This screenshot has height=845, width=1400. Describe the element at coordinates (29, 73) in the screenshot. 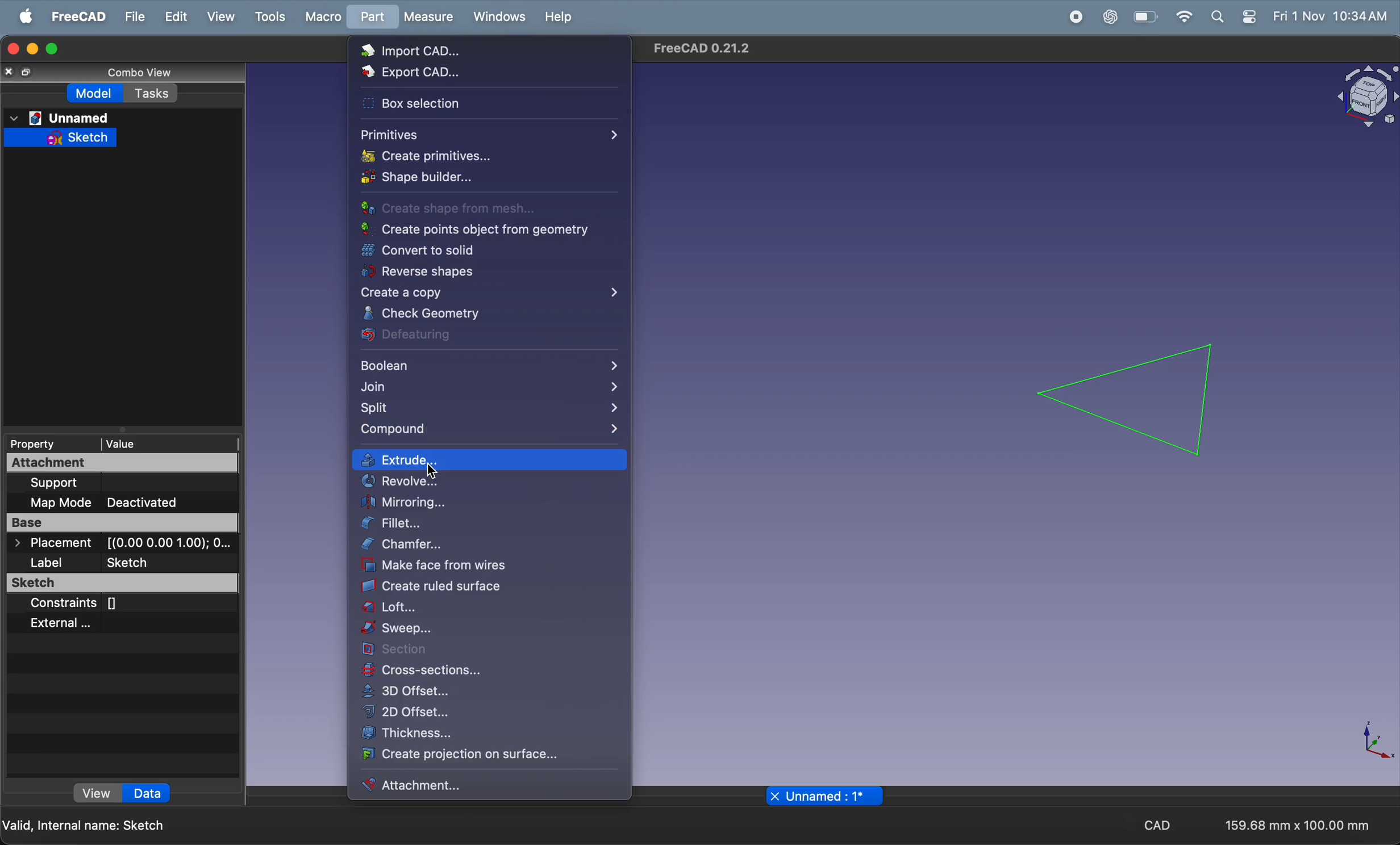

I see `restore` at that location.